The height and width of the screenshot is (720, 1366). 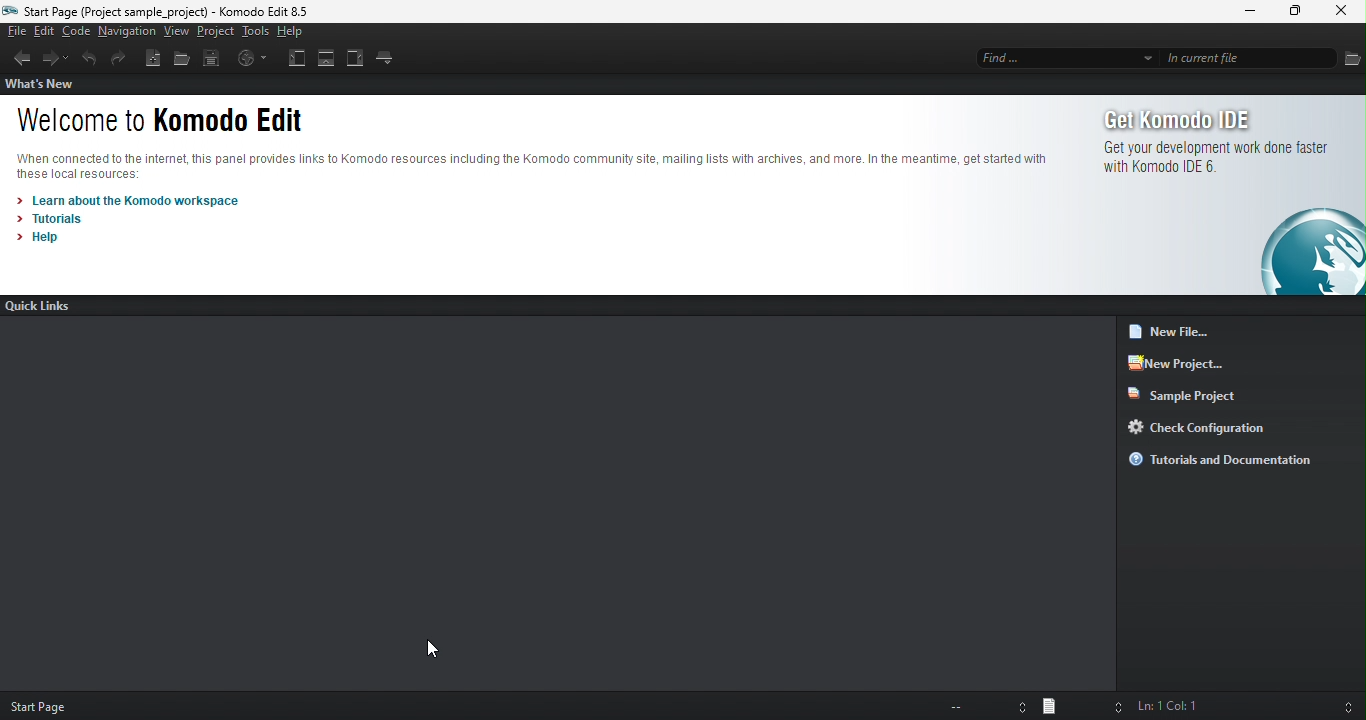 What do you see at coordinates (1307, 254) in the screenshot?
I see `logo` at bounding box center [1307, 254].